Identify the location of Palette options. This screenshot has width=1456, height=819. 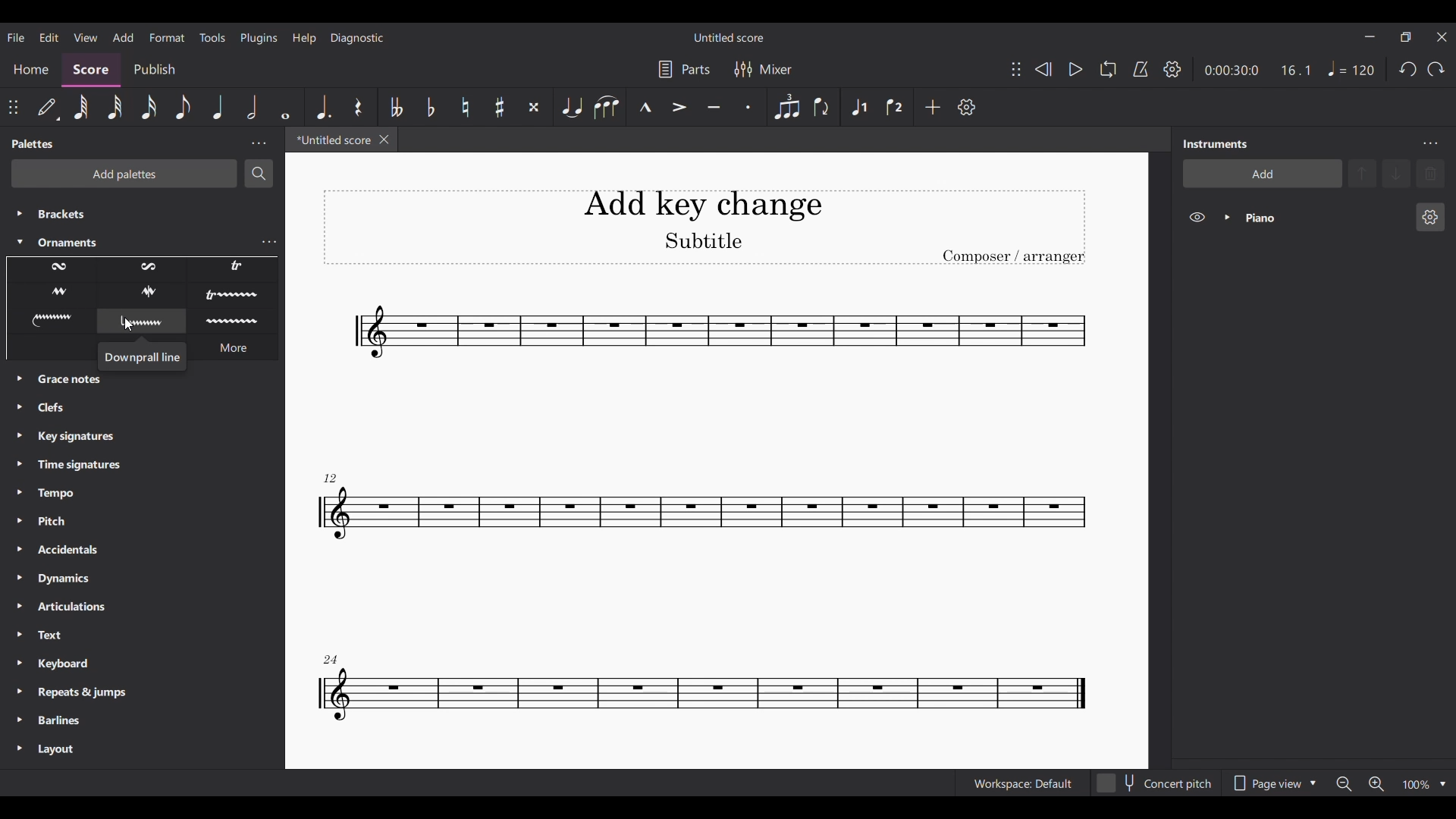
(136, 224).